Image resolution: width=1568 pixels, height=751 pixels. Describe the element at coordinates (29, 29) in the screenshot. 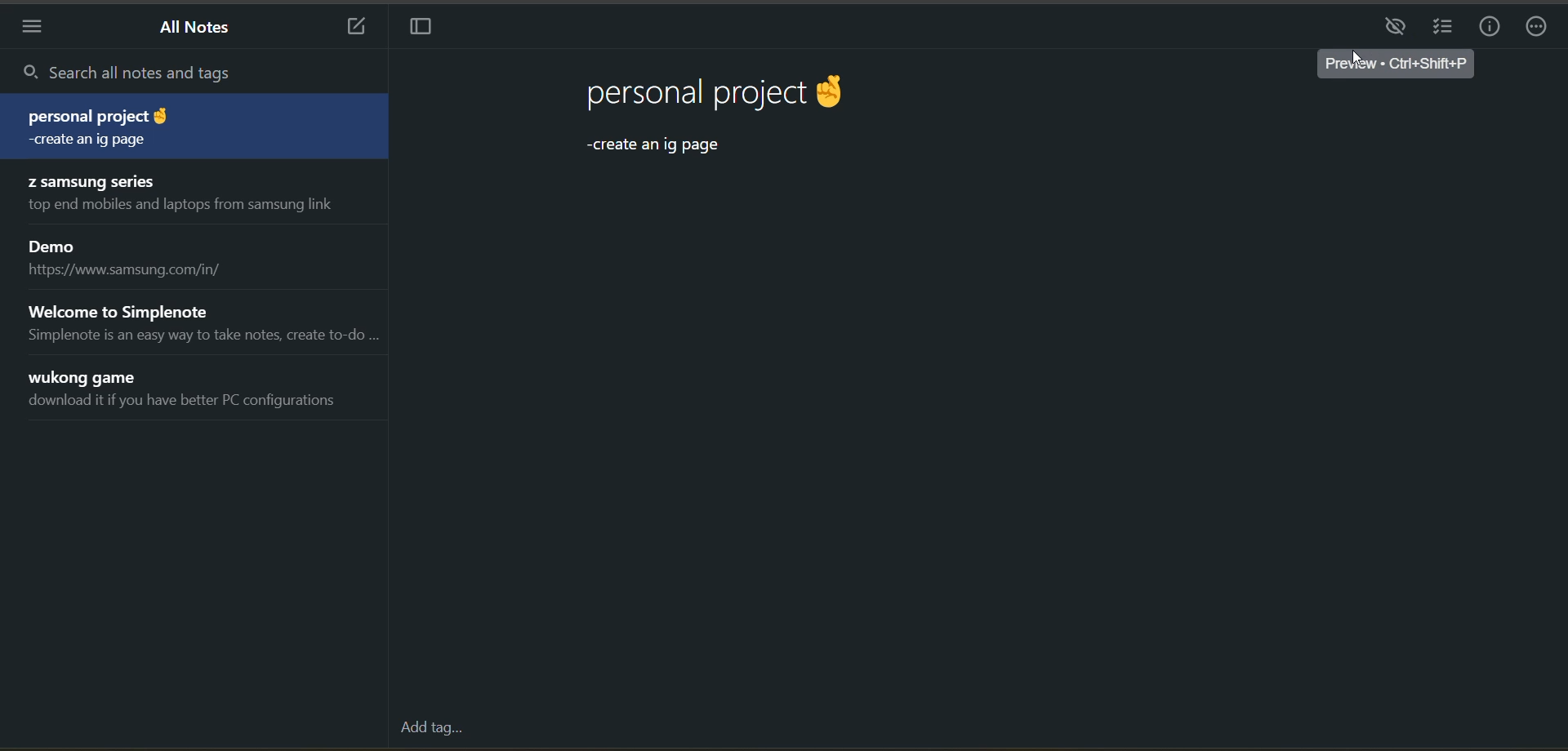

I see `menu` at that location.